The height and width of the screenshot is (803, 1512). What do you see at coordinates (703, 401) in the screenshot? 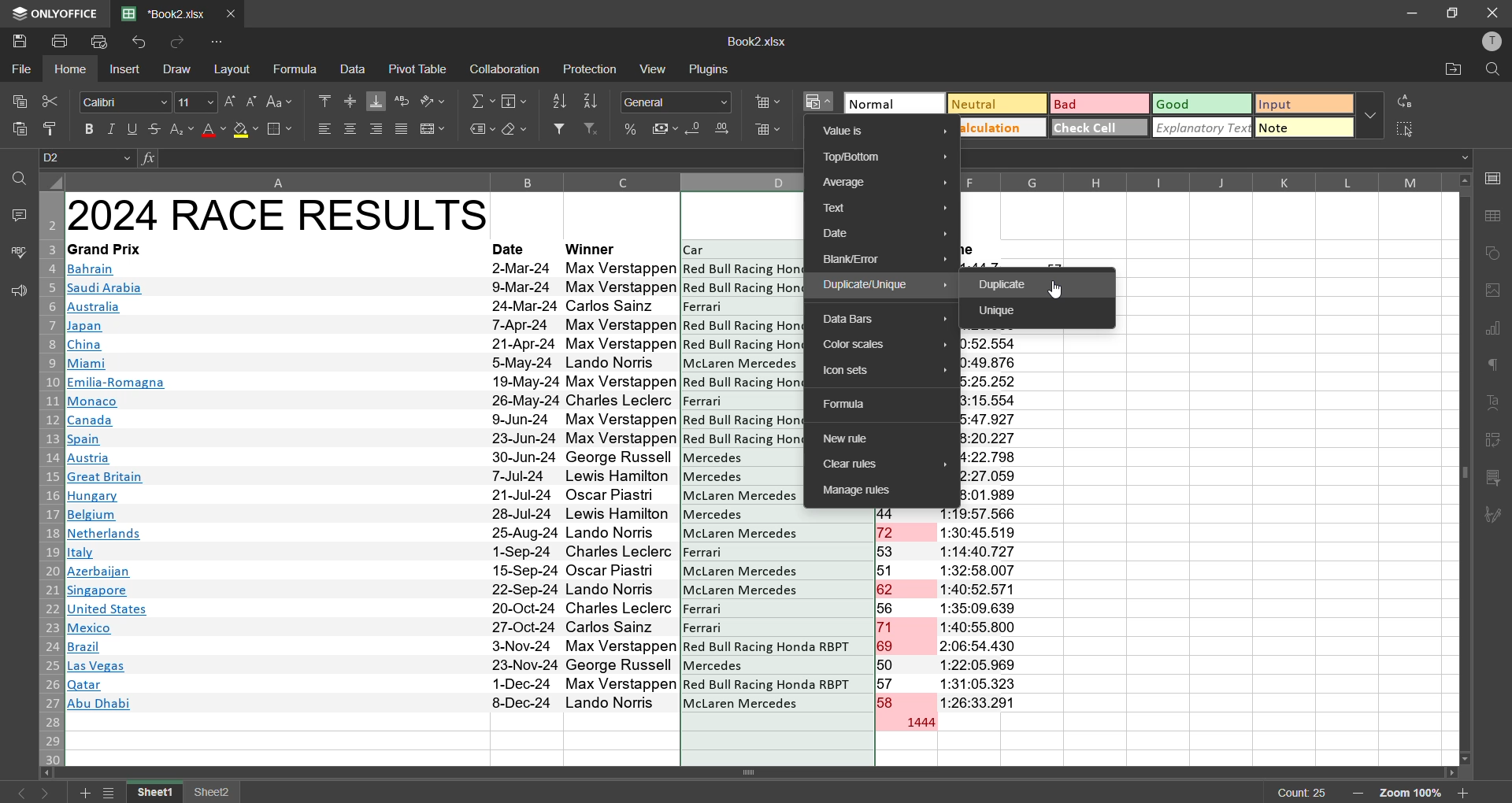
I see `car name` at bounding box center [703, 401].